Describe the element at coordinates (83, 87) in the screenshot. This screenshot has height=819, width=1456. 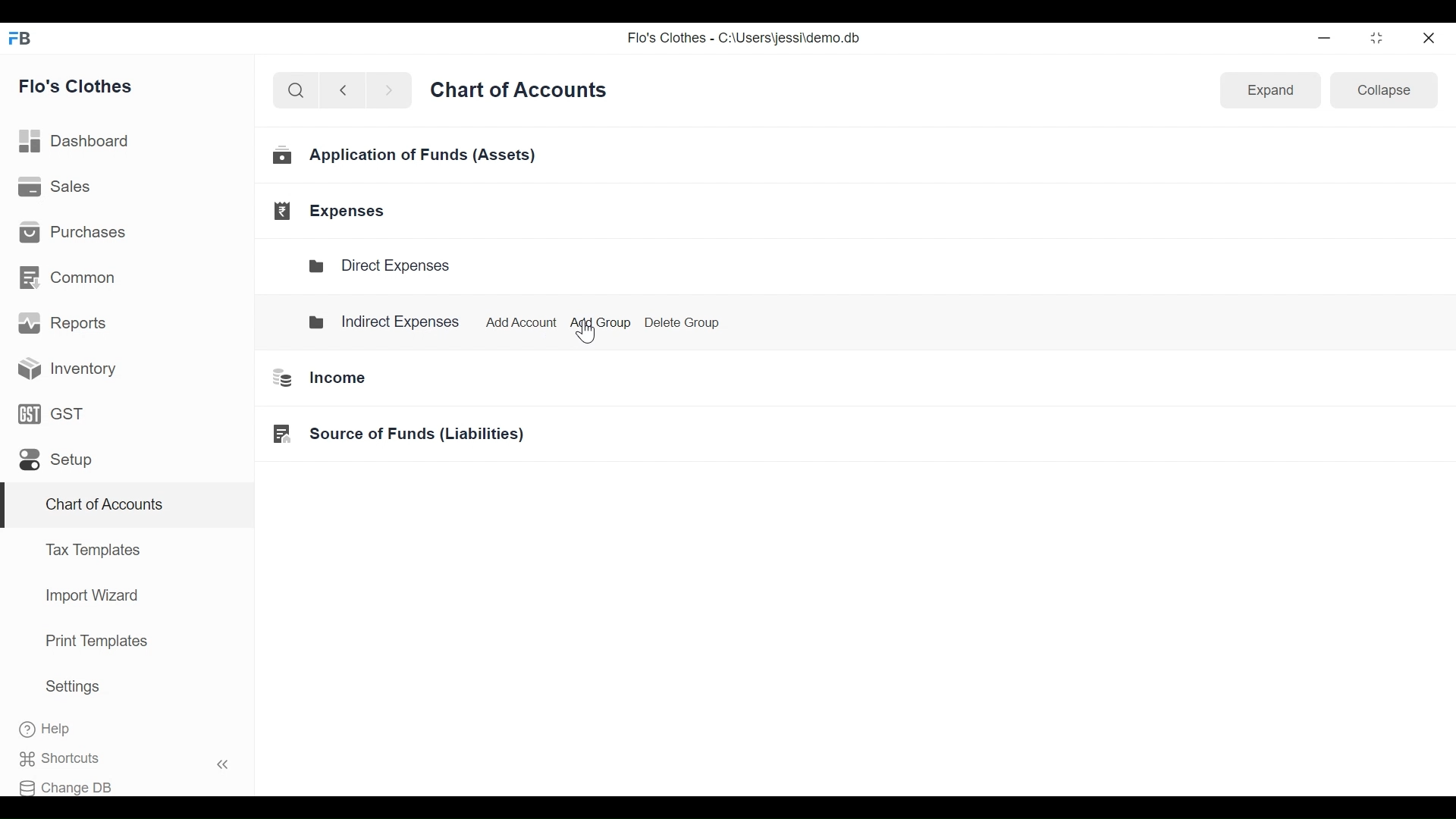
I see `Flo's Clothes` at that location.